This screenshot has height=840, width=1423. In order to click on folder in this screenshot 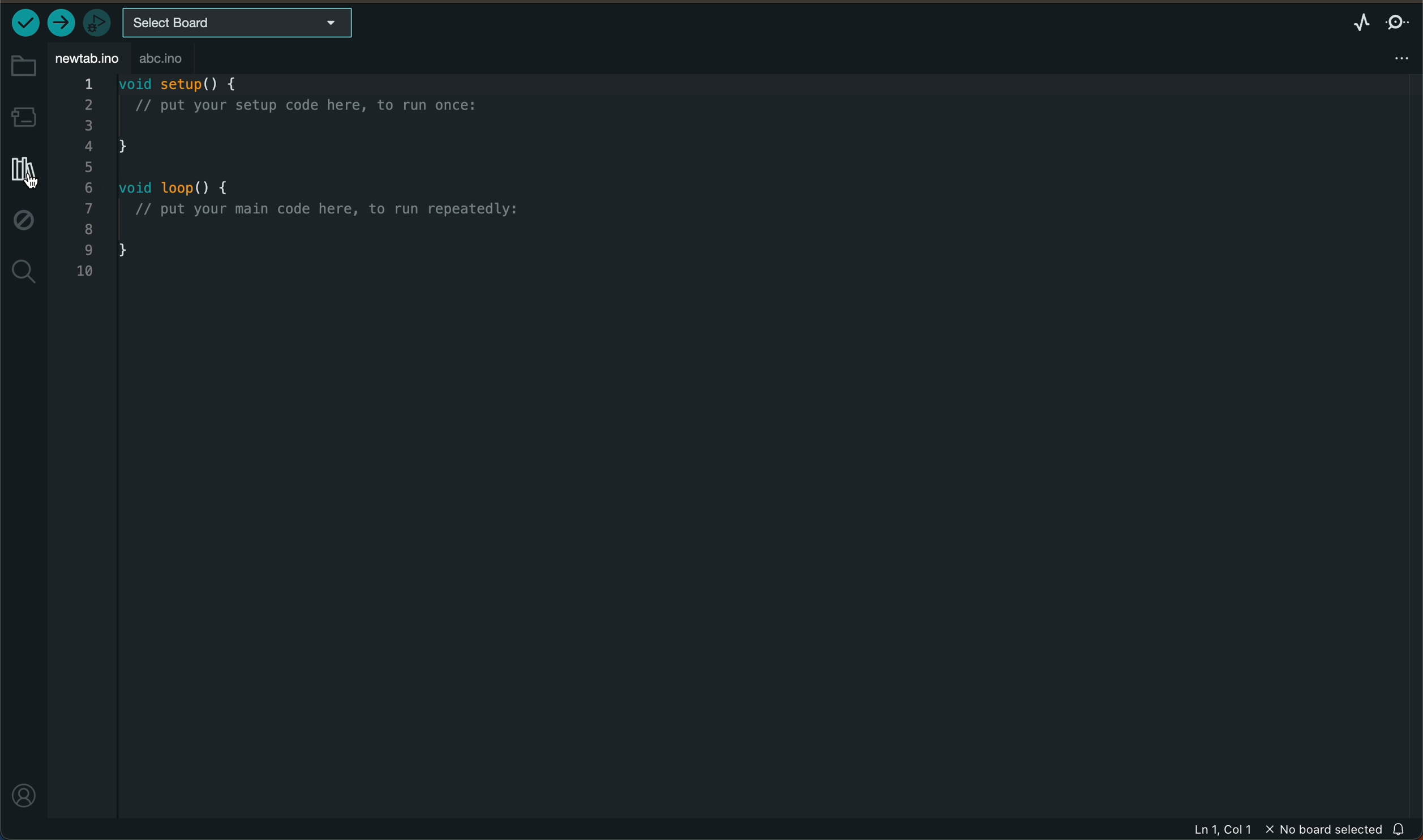, I will do `click(23, 66)`.